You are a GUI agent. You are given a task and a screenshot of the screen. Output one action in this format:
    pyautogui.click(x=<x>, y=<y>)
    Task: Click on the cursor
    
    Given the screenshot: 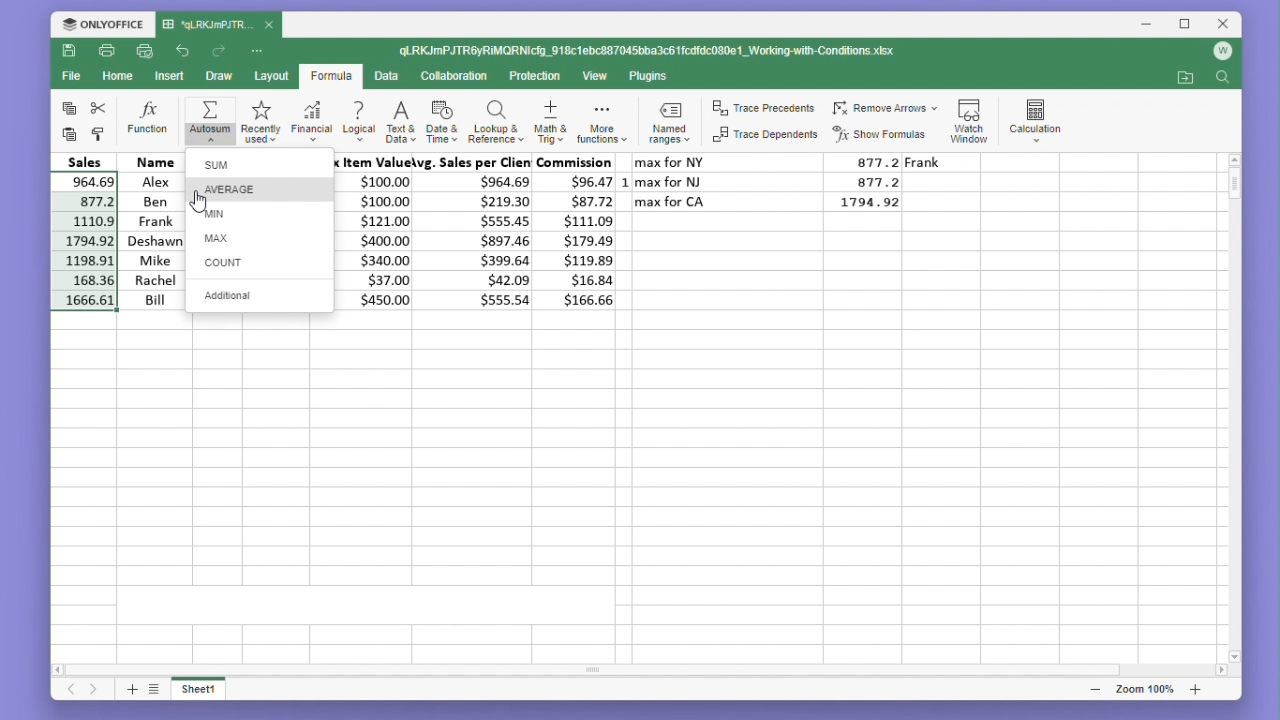 What is the action you would take?
    pyautogui.click(x=199, y=203)
    